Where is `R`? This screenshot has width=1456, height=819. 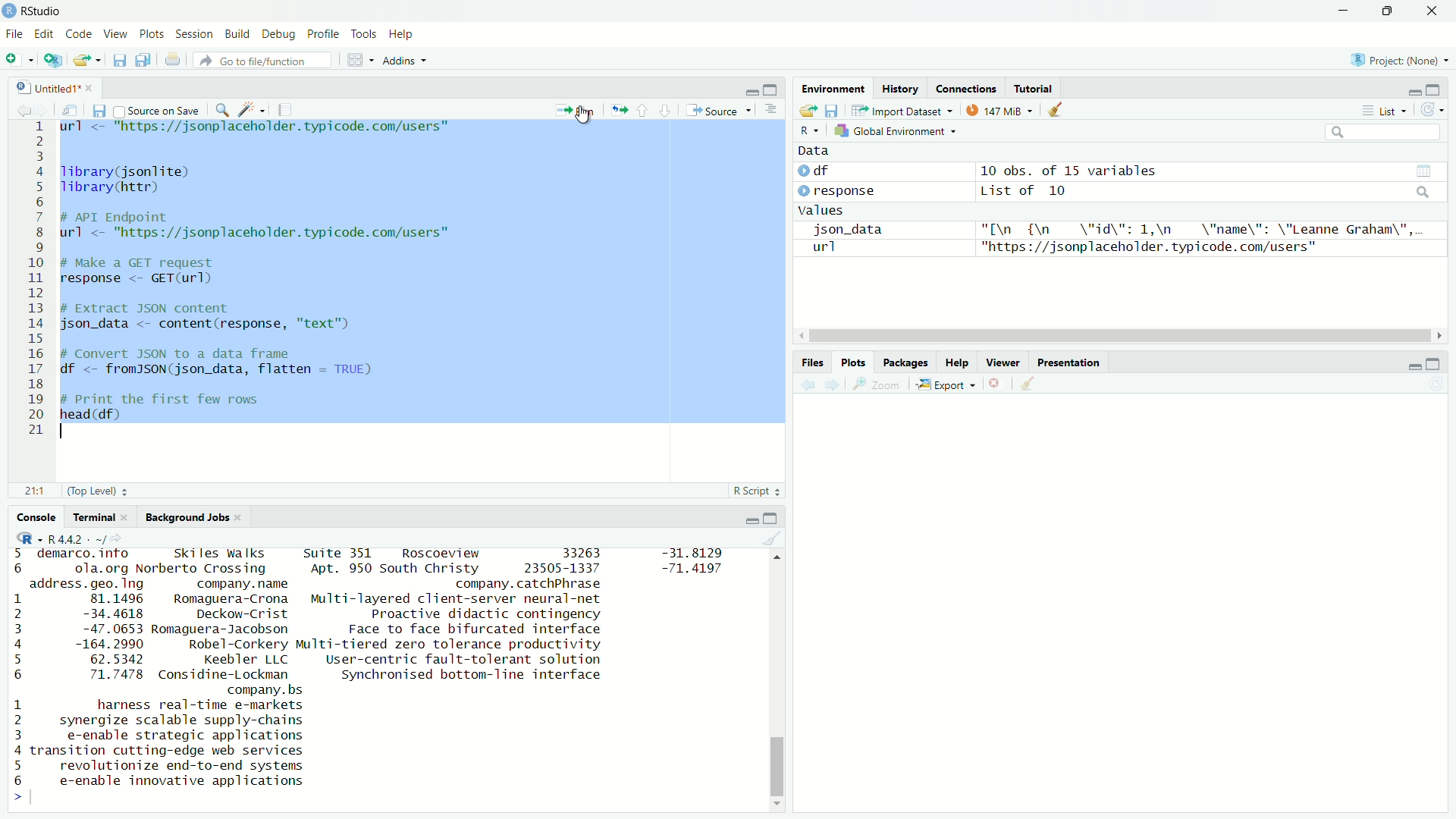 R is located at coordinates (810, 131).